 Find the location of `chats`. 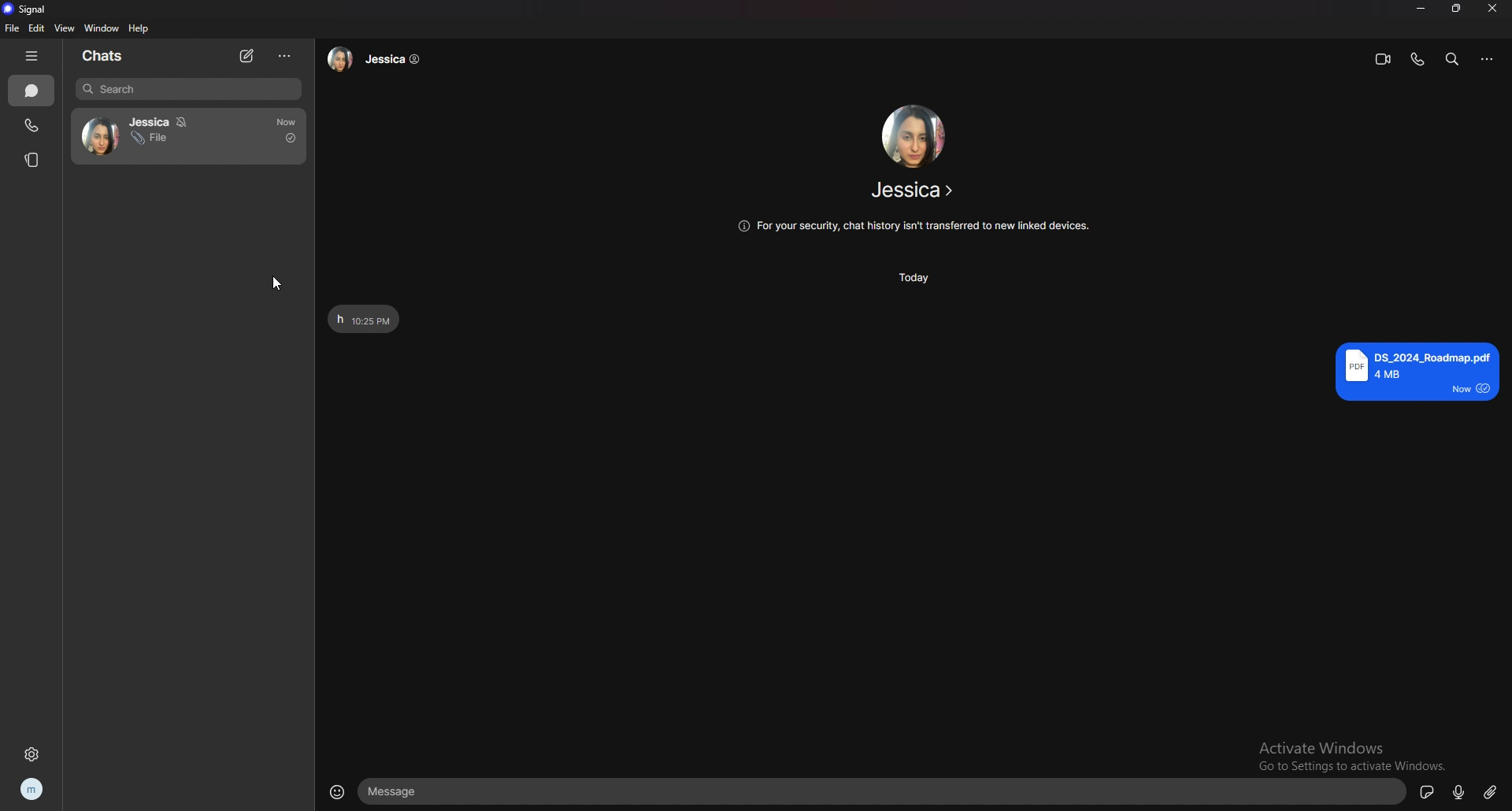

chats is located at coordinates (102, 55).